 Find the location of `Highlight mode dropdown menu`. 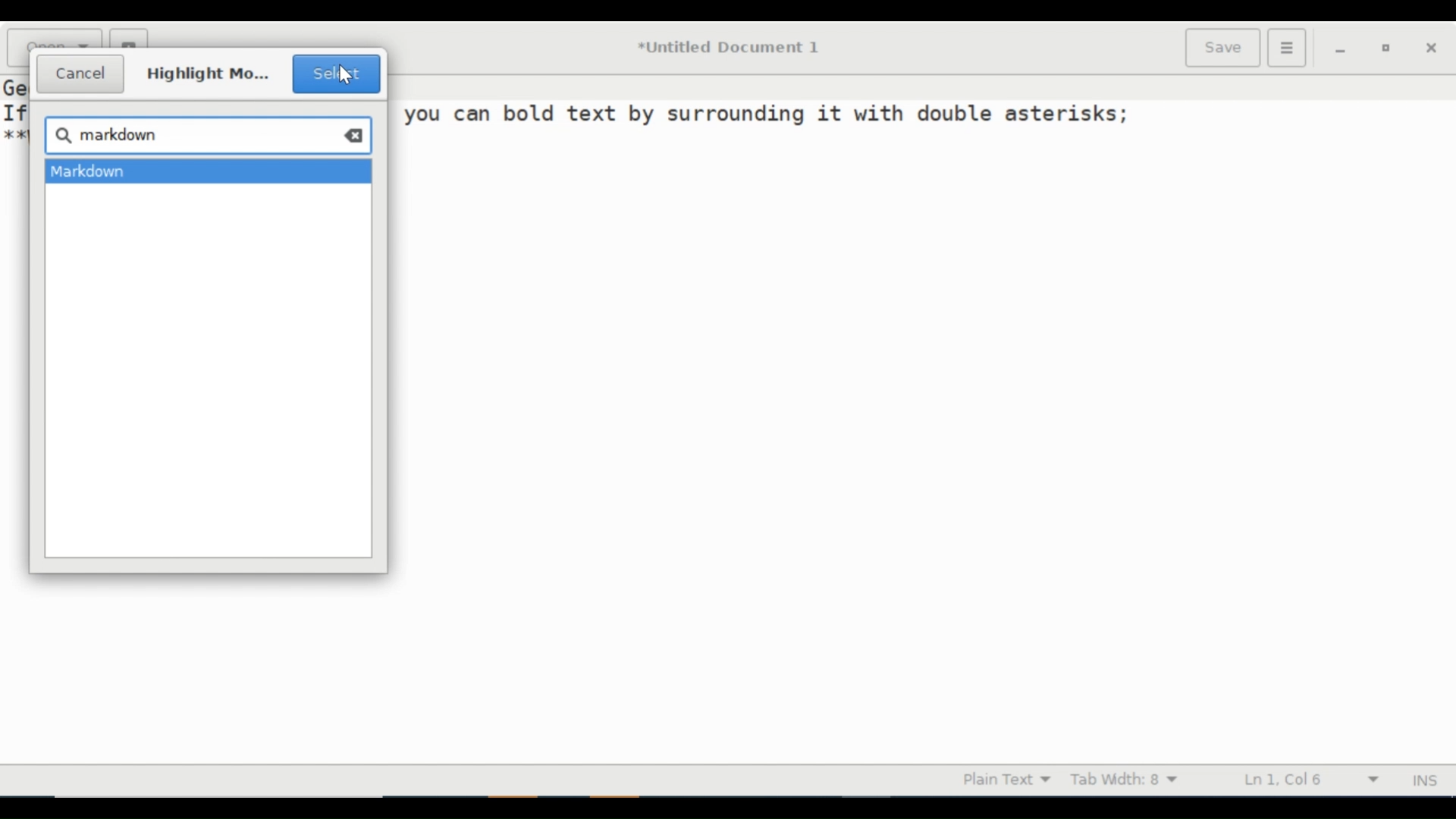

Highlight mode dropdown menu is located at coordinates (1009, 778).